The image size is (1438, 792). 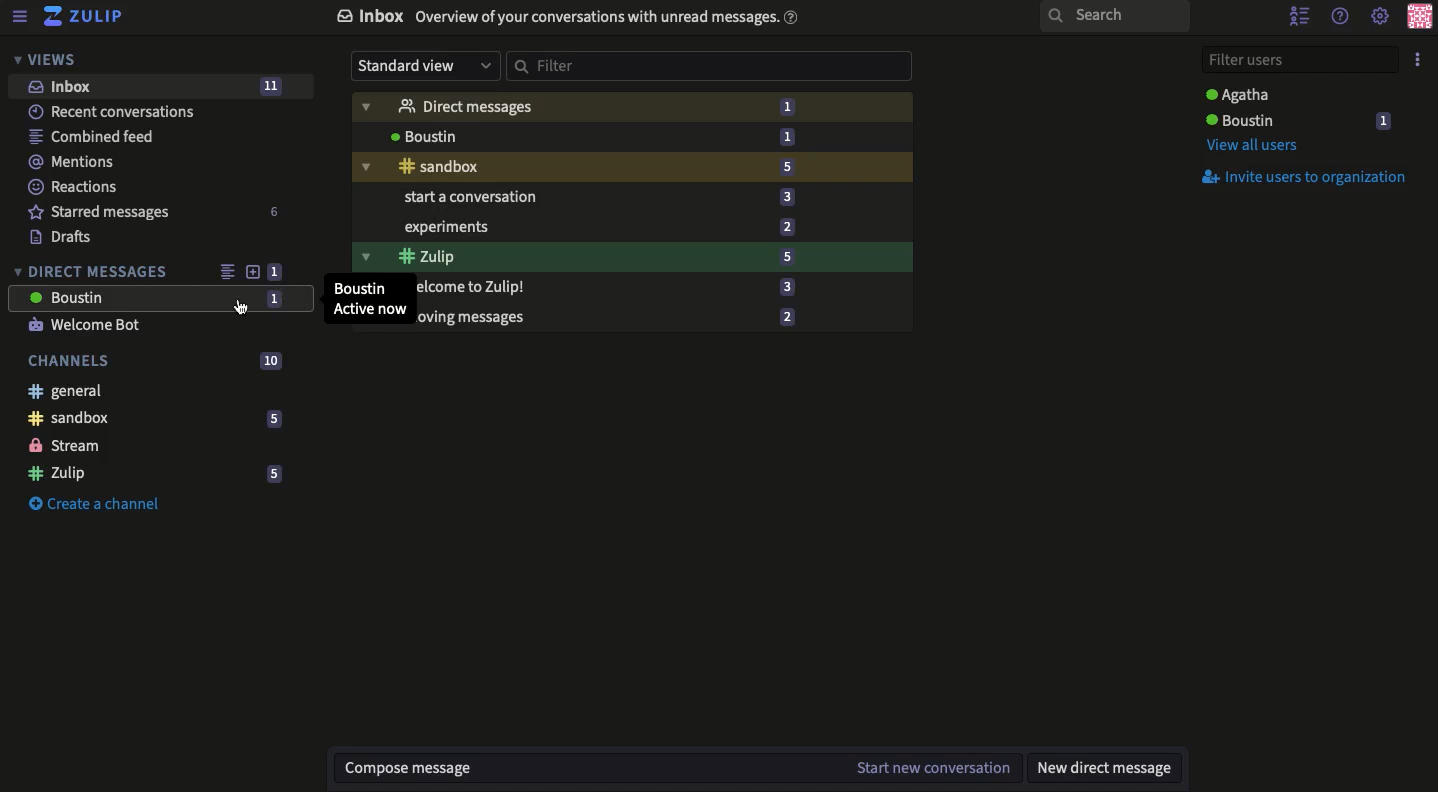 What do you see at coordinates (636, 255) in the screenshot?
I see `Zulip` at bounding box center [636, 255].